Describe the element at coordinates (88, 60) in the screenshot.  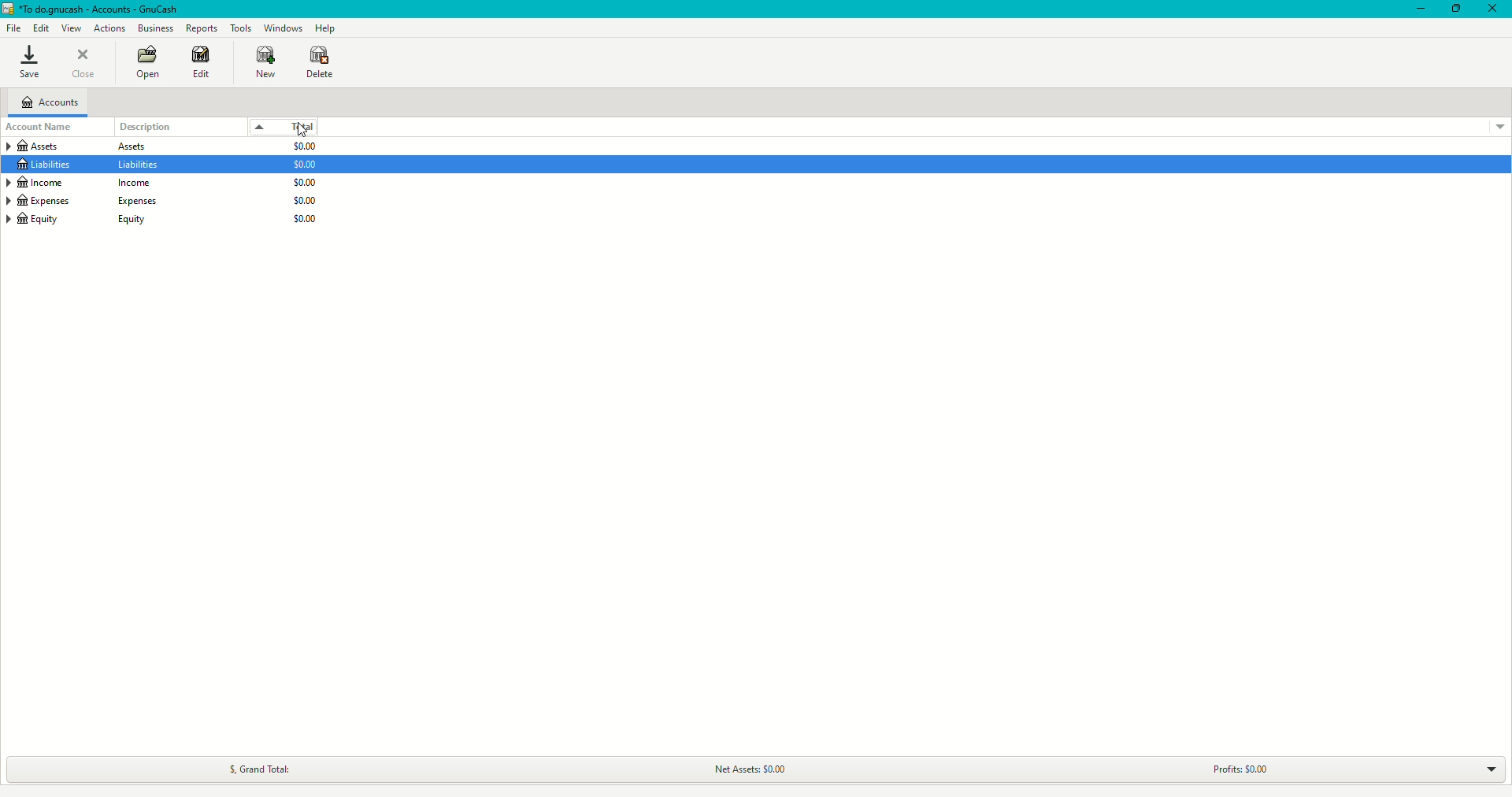
I see `Close` at that location.